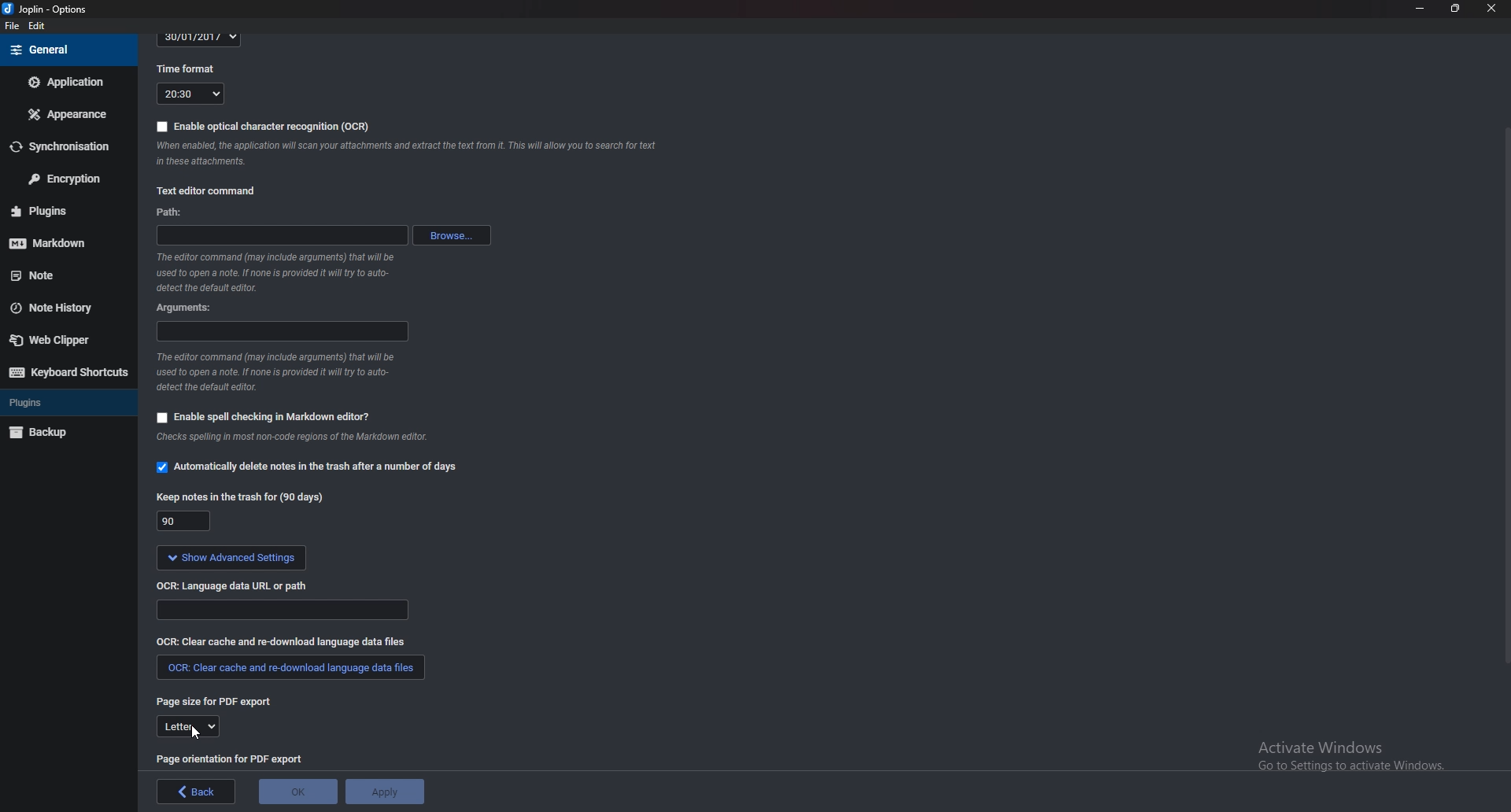  What do you see at coordinates (1456, 8) in the screenshot?
I see `Resize` at bounding box center [1456, 8].